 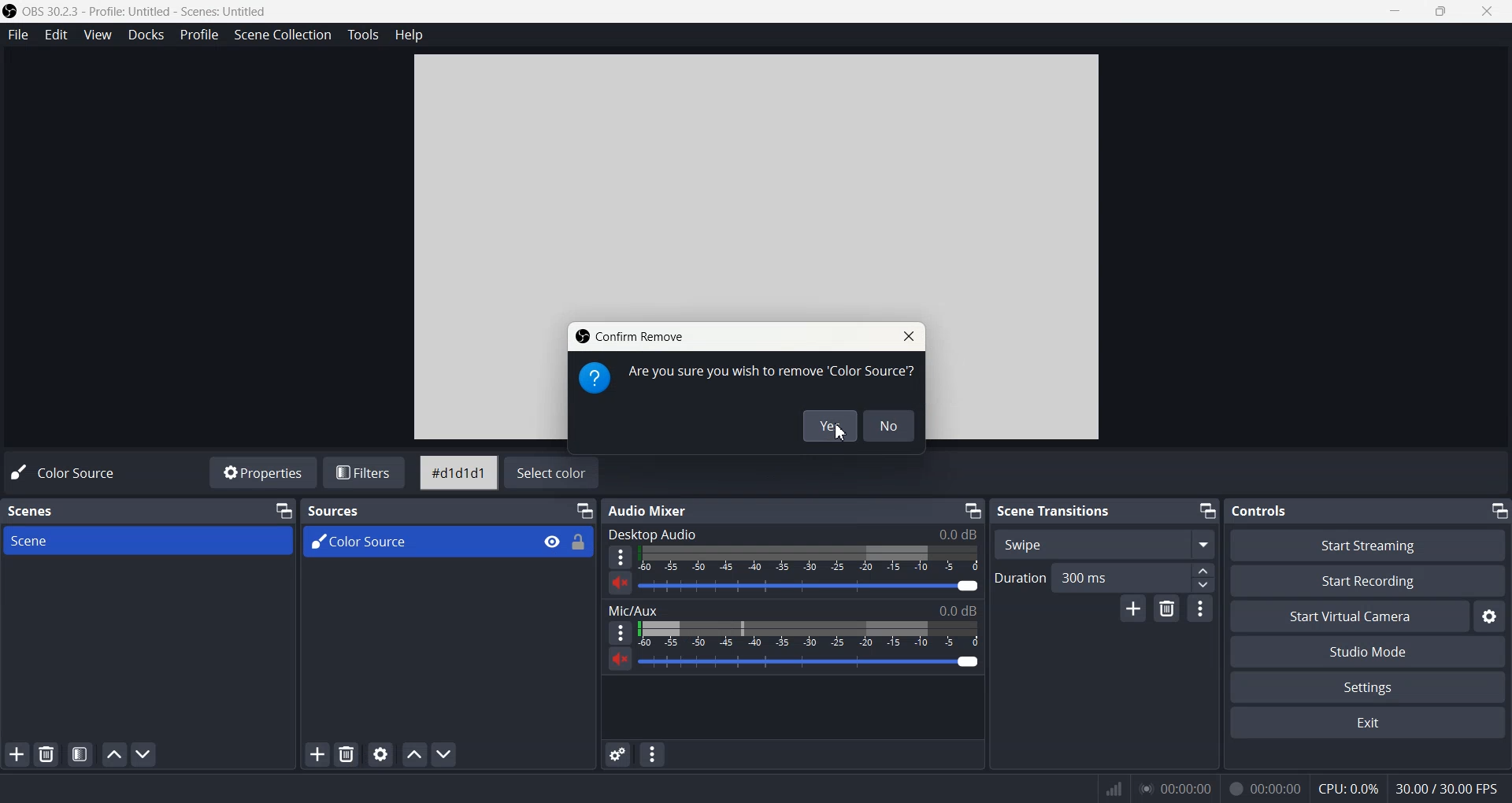 What do you see at coordinates (810, 584) in the screenshot?
I see `Volume Adjuster` at bounding box center [810, 584].